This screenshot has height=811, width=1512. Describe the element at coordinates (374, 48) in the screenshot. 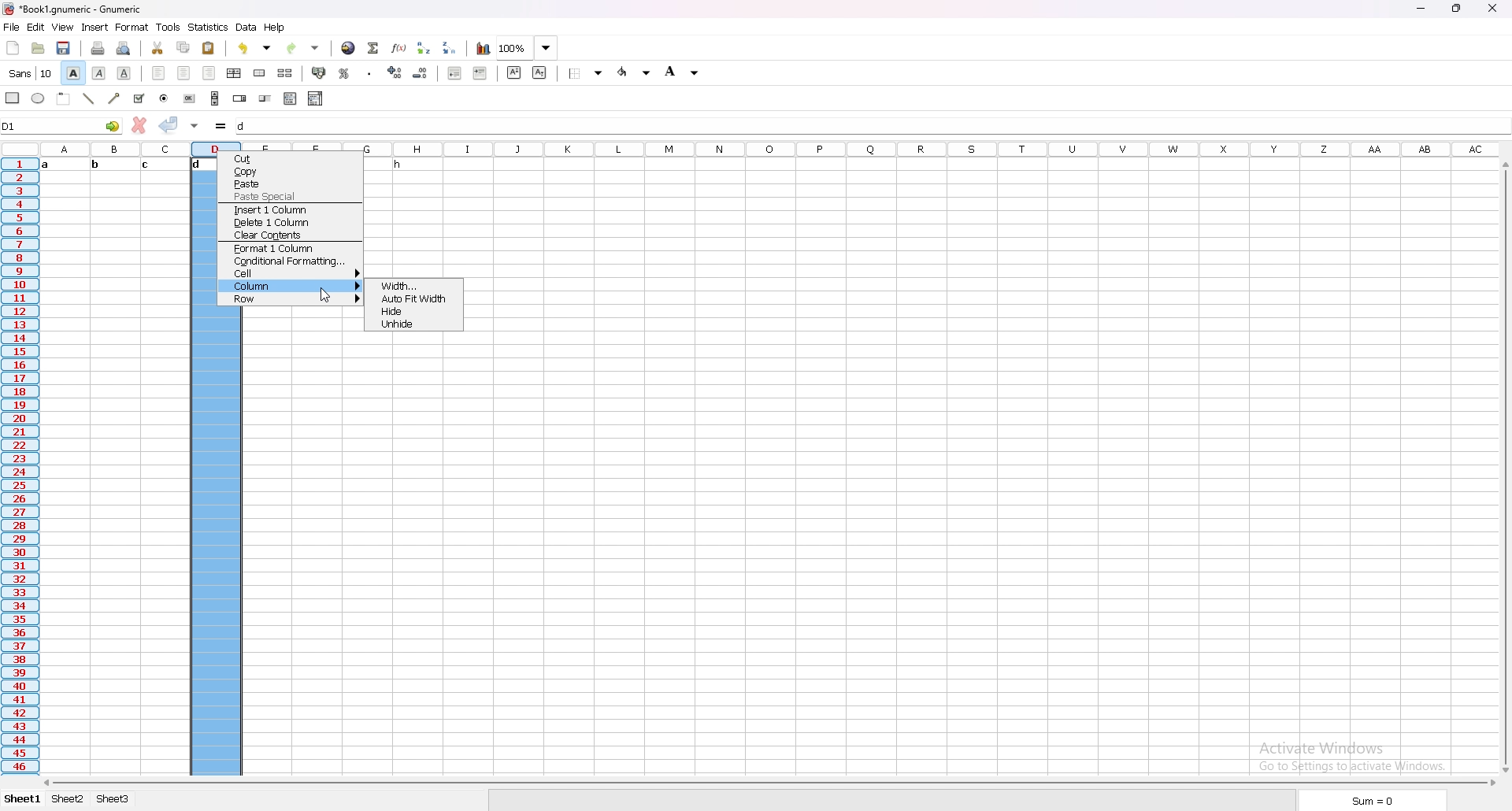

I see `summation` at that location.